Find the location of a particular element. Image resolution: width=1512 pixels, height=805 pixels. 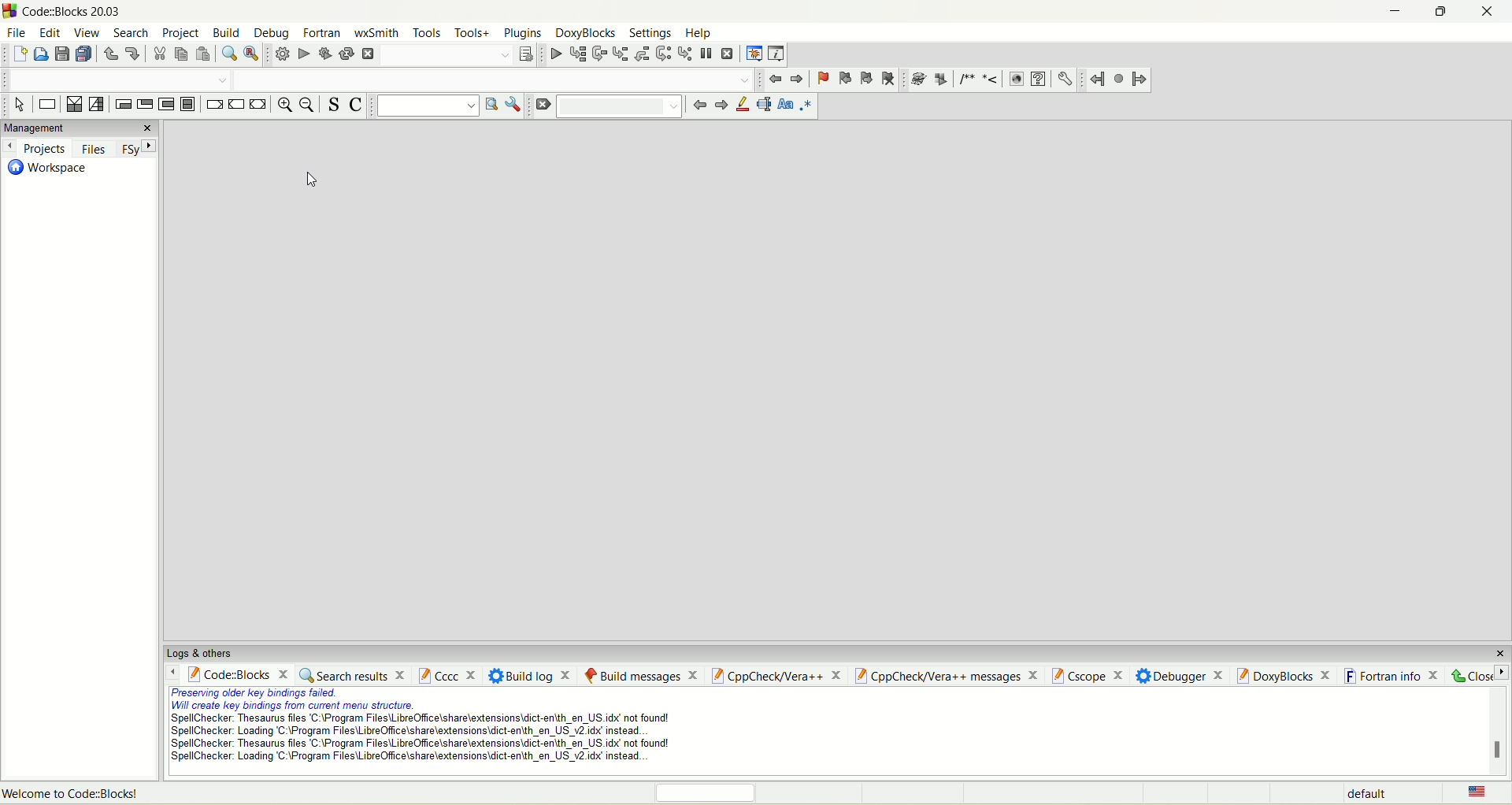

search results is located at coordinates (355, 675).